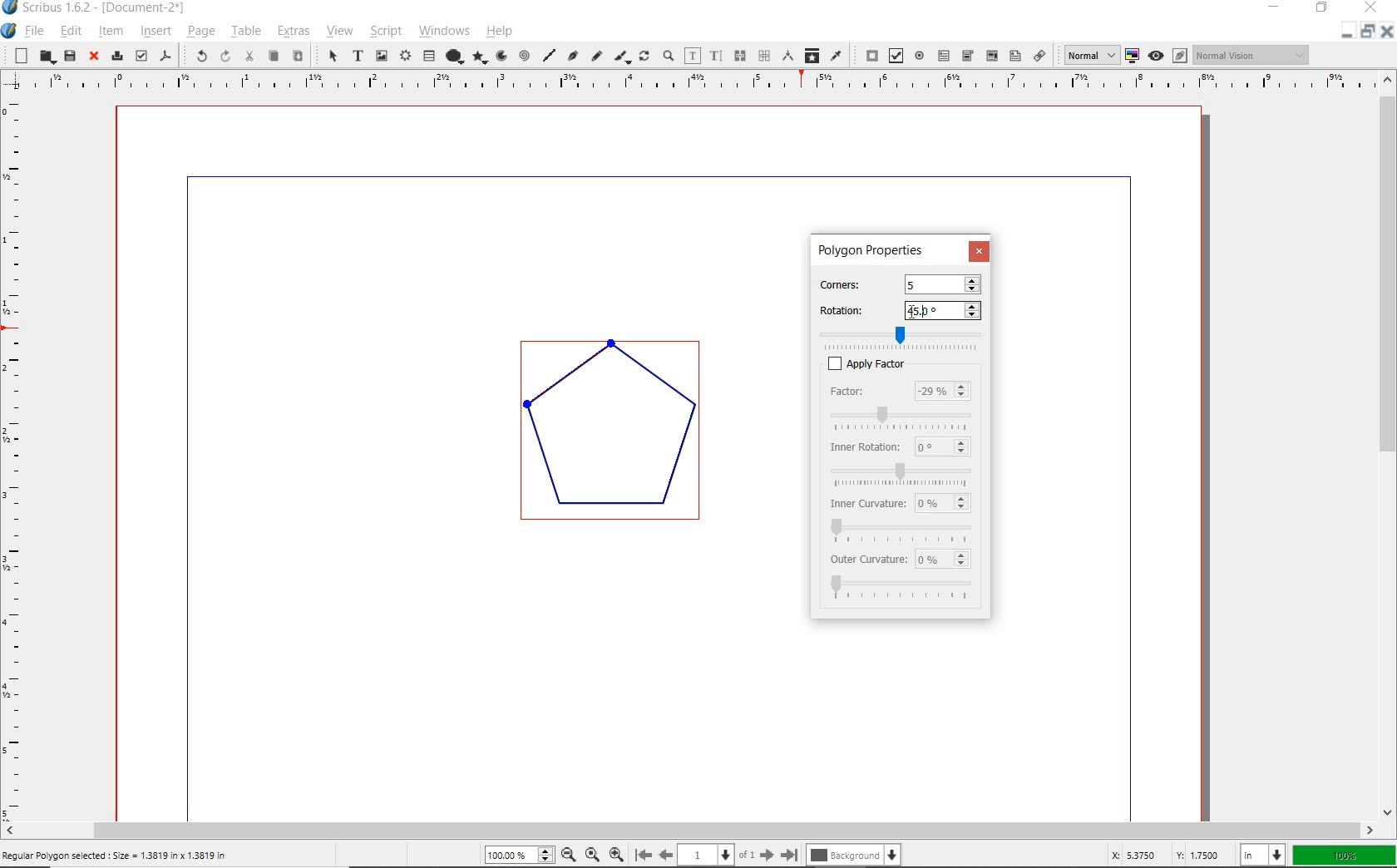 This screenshot has width=1397, height=868. What do you see at coordinates (166, 55) in the screenshot?
I see `save as pdf` at bounding box center [166, 55].